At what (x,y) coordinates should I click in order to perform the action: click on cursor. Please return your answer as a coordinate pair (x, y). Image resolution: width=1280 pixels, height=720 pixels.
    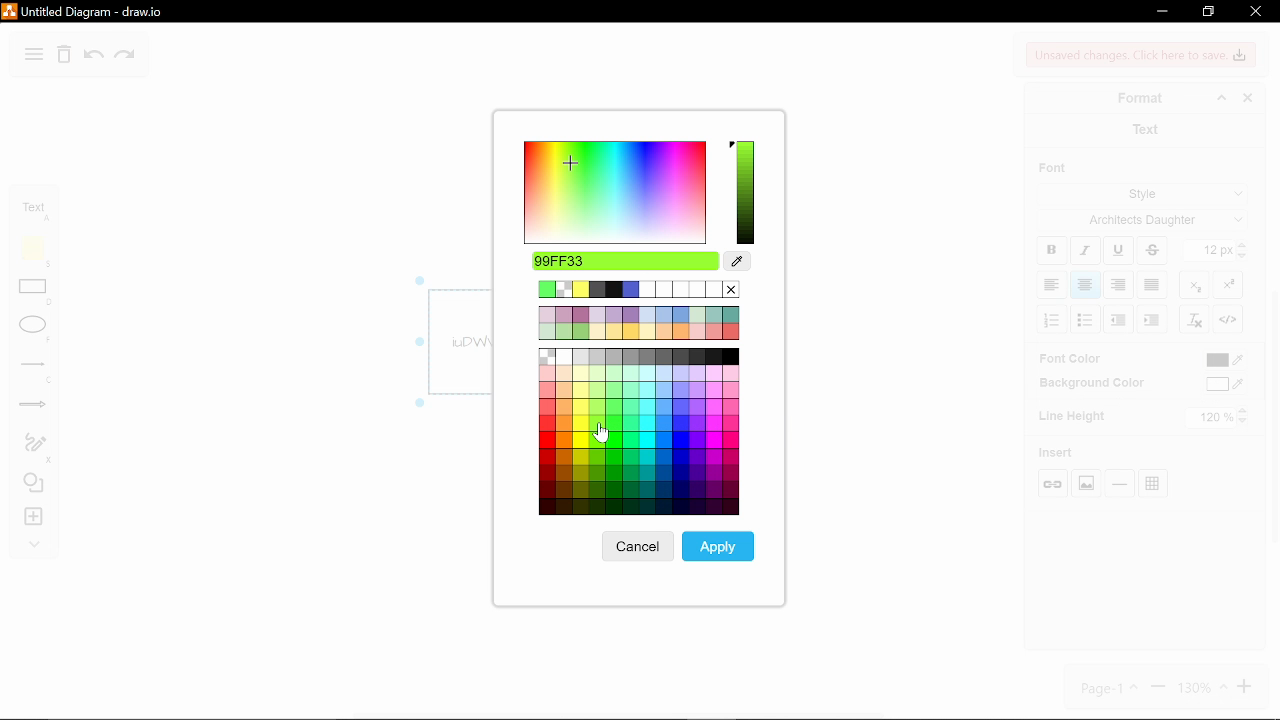
    Looking at the image, I should click on (607, 435).